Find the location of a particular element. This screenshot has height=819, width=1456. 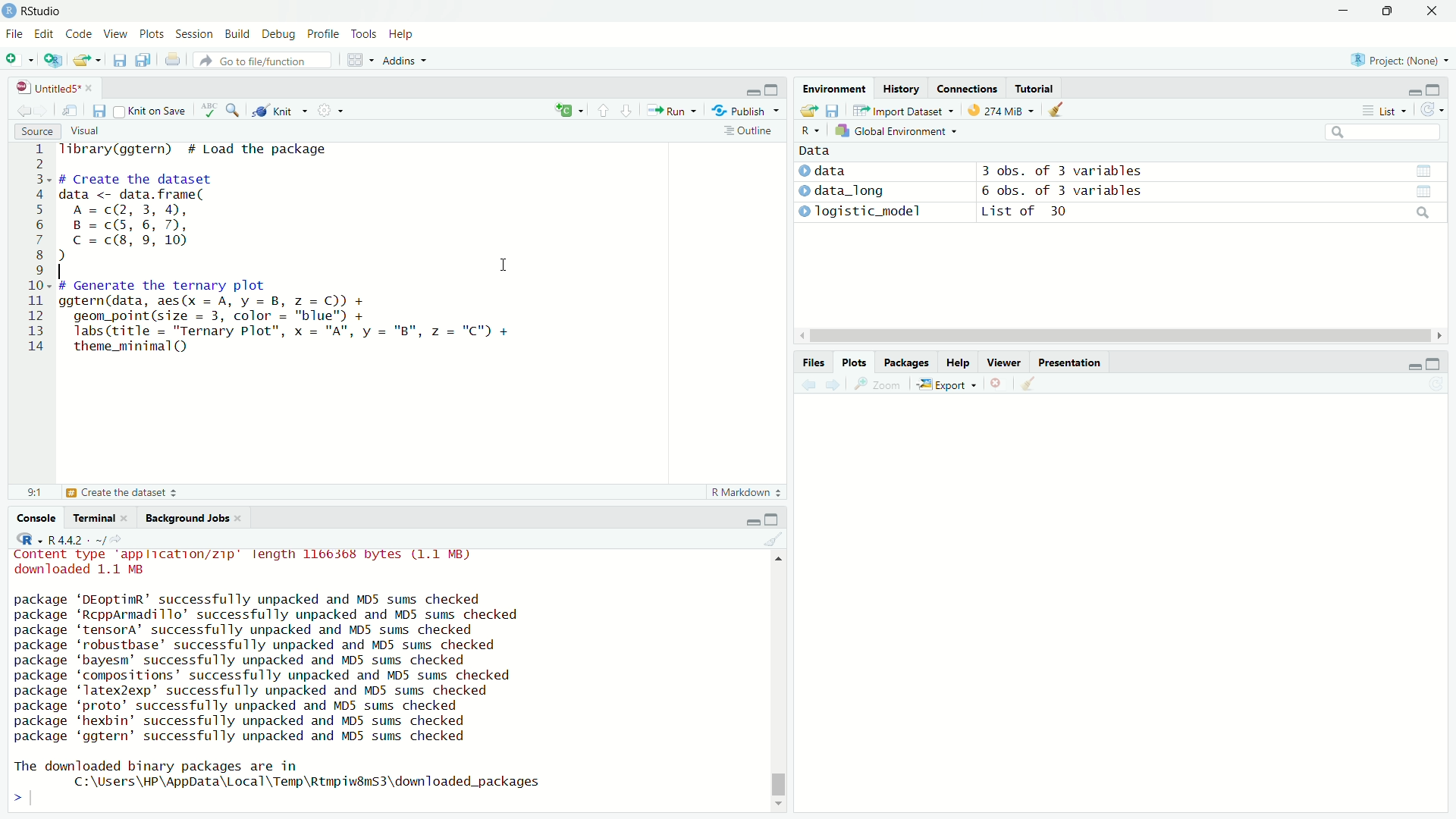

Packages is located at coordinates (904, 361).